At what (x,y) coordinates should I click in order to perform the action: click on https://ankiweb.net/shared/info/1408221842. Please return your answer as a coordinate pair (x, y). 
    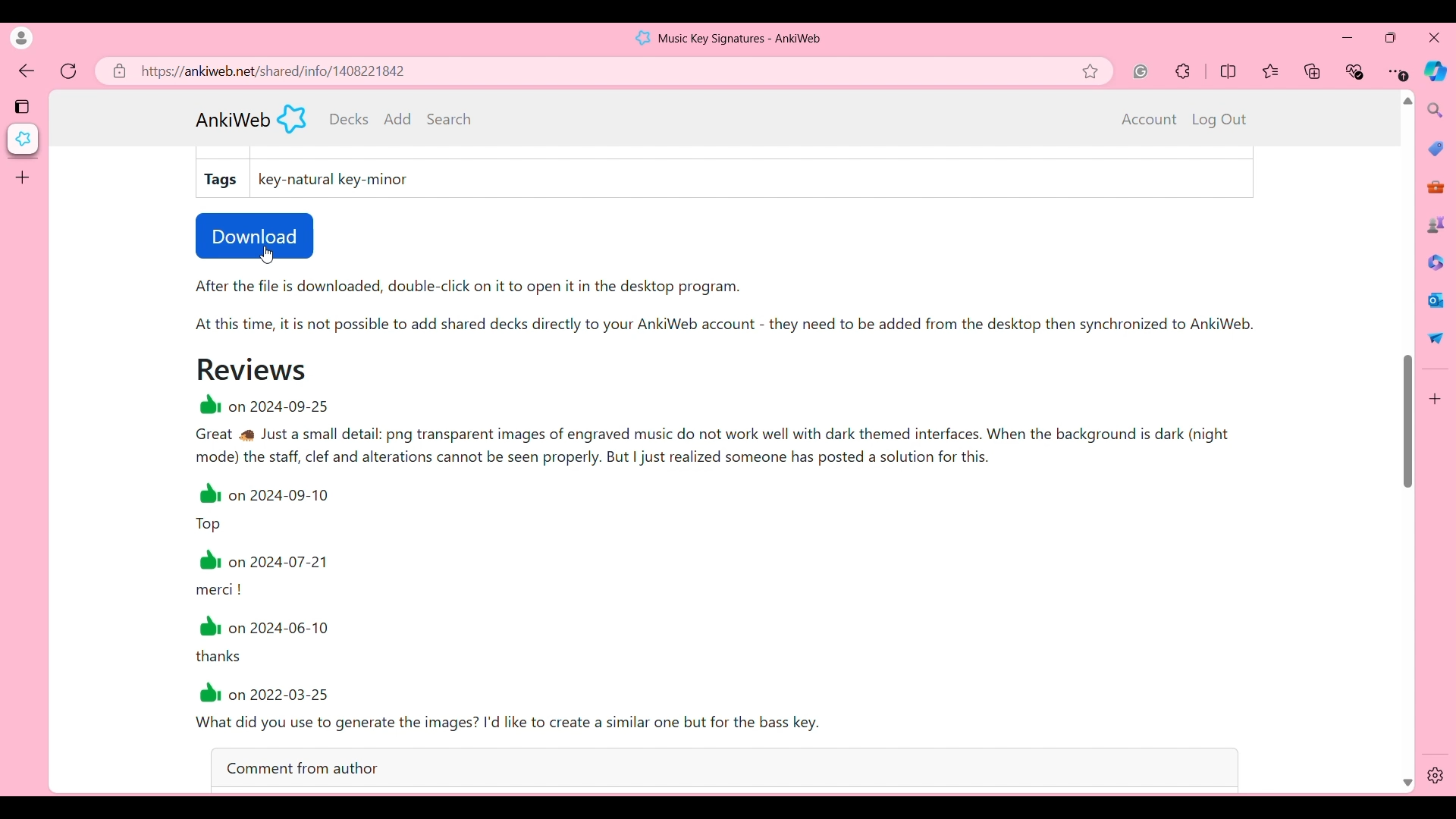
    Looking at the image, I should click on (275, 71).